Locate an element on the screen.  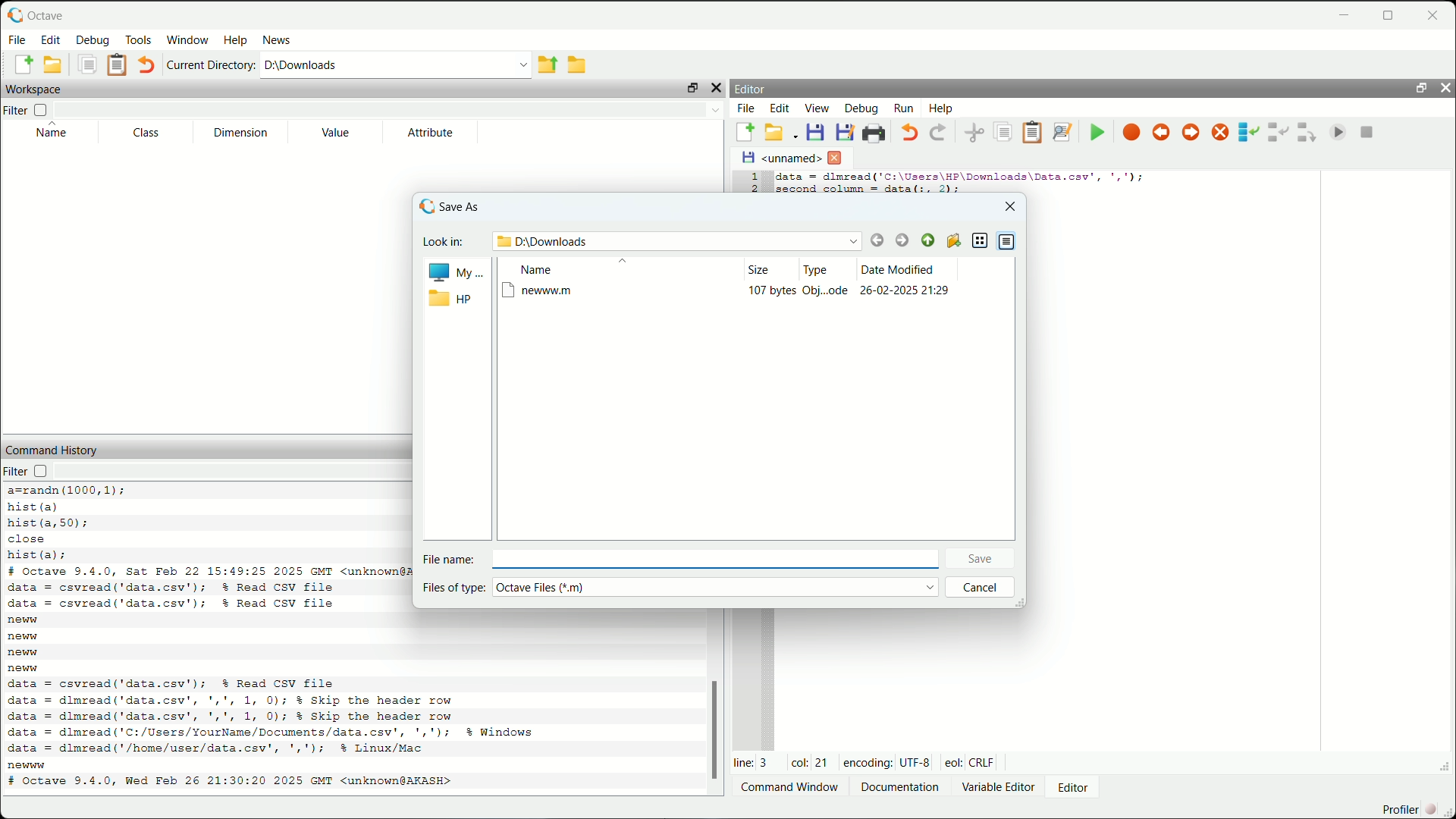
value is located at coordinates (334, 134).